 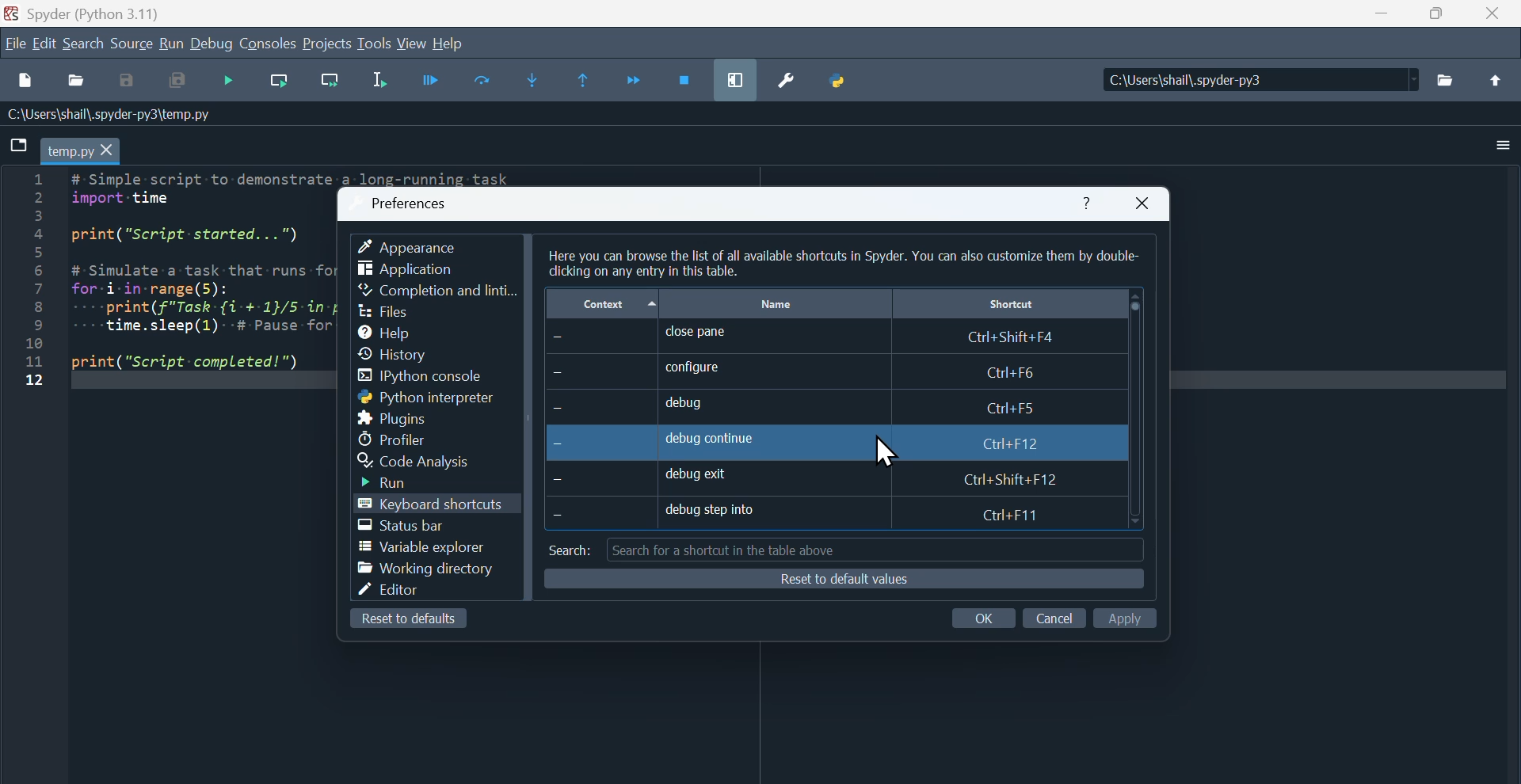 What do you see at coordinates (375, 47) in the screenshot?
I see `tools` at bounding box center [375, 47].